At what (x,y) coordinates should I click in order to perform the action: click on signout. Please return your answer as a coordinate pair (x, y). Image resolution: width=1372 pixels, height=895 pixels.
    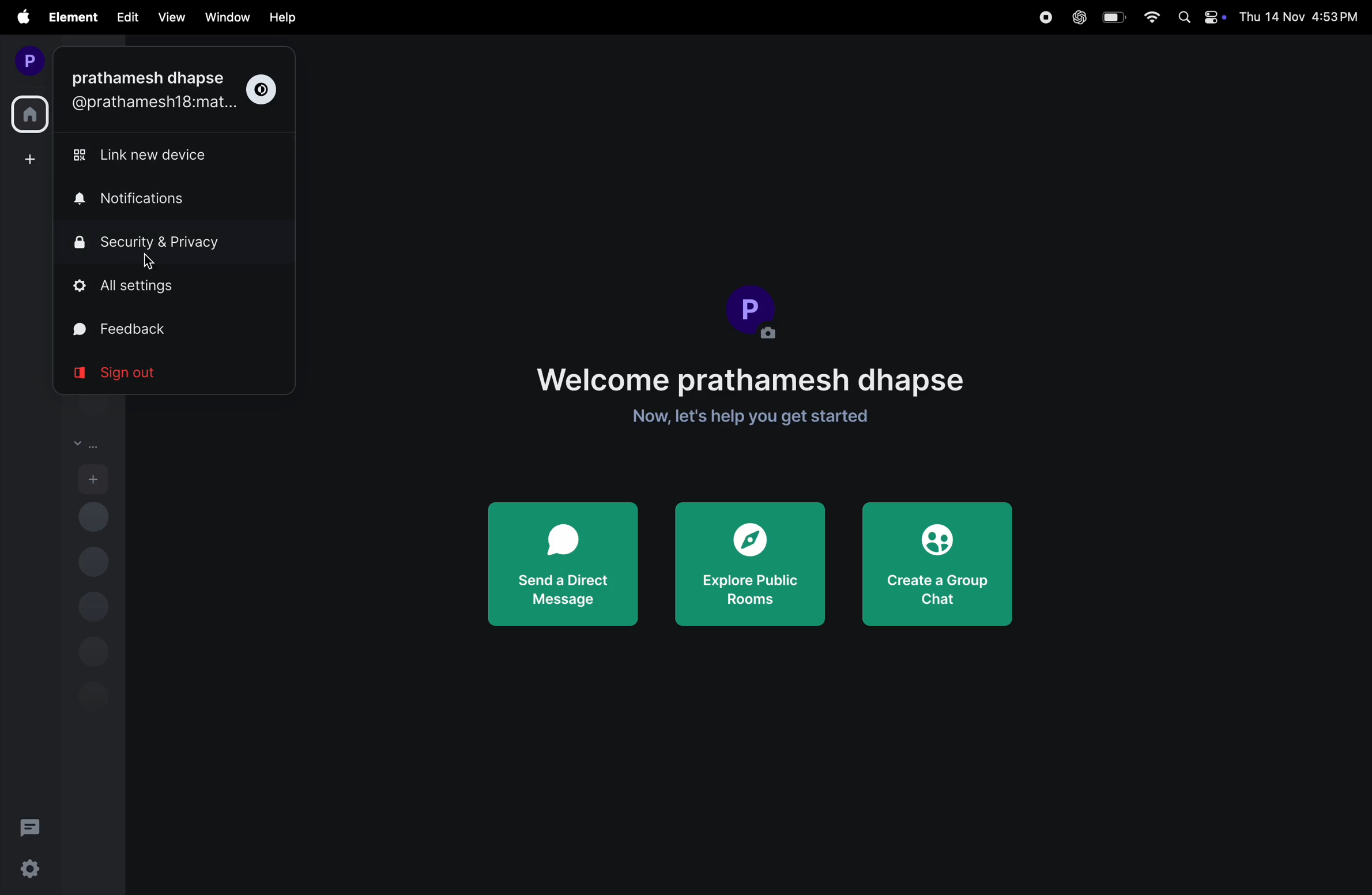
    Looking at the image, I should click on (130, 374).